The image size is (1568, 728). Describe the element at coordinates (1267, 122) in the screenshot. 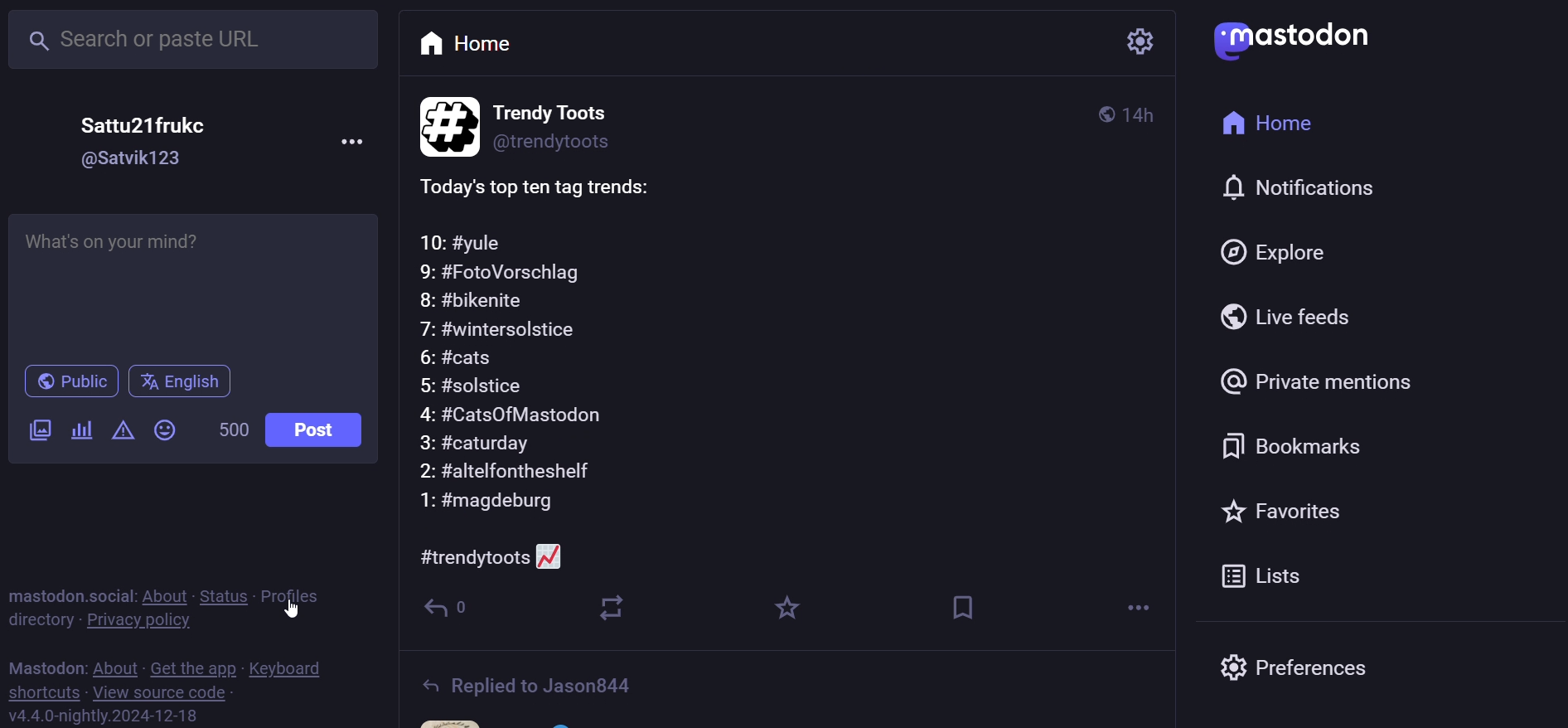

I see `home` at that location.